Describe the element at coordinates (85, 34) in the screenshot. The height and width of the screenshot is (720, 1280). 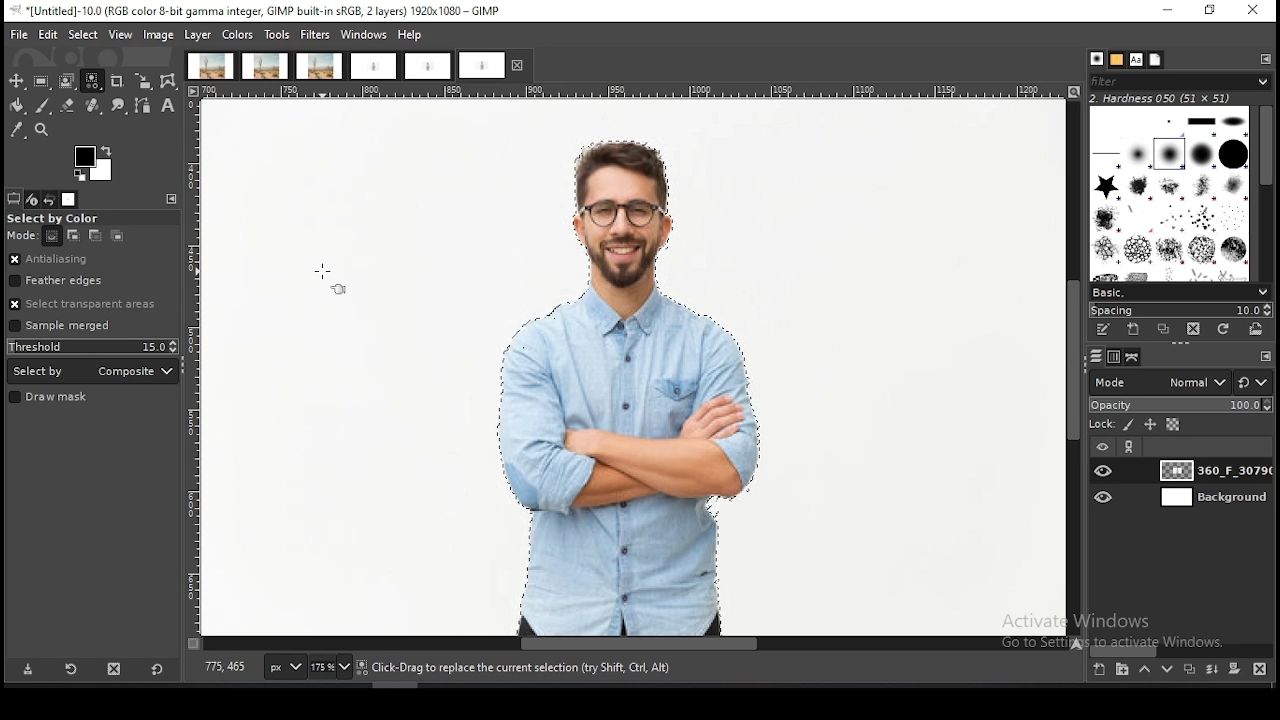
I see `select` at that location.